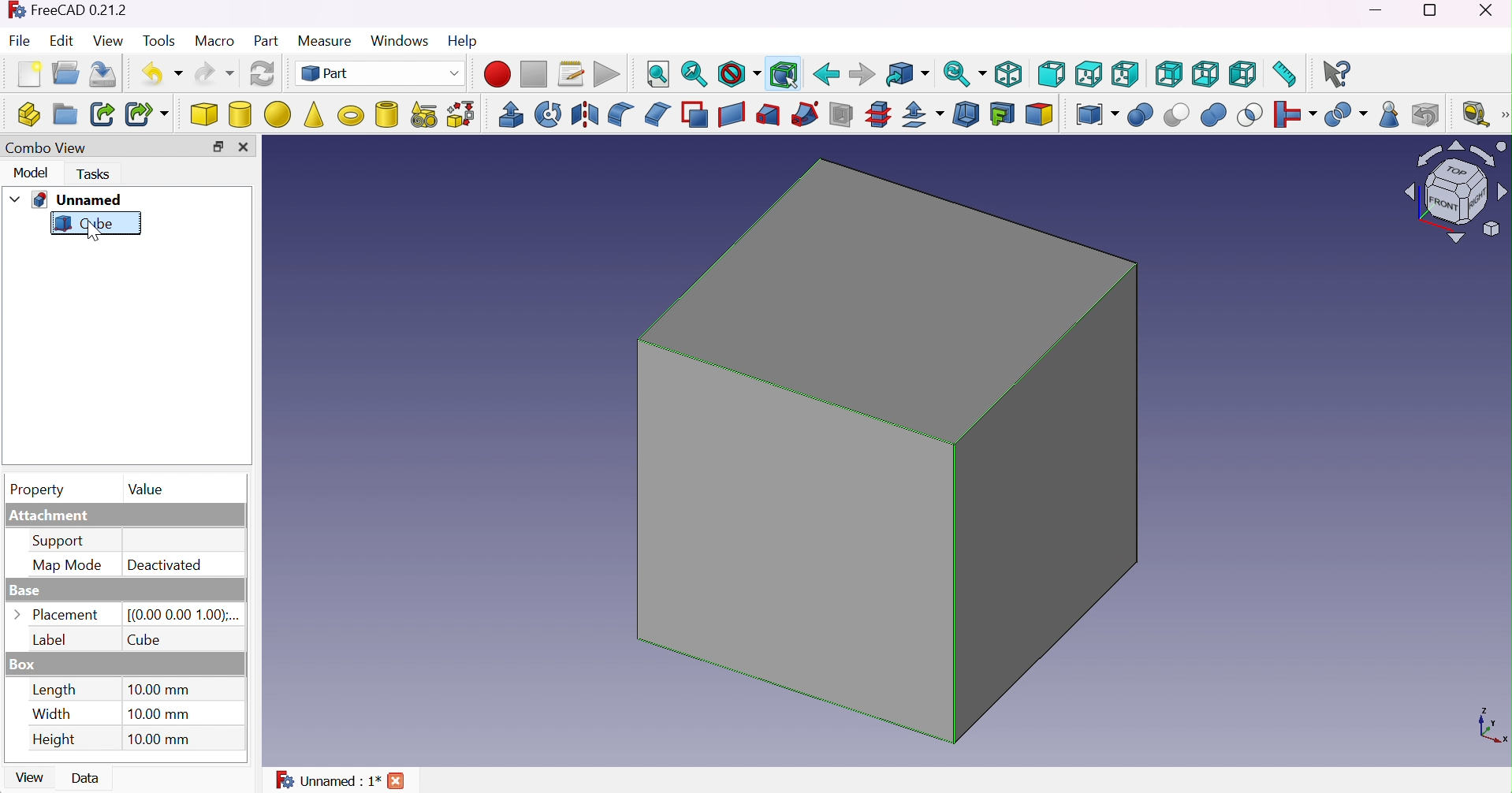 Image resolution: width=1512 pixels, height=793 pixels. I want to click on Save, so click(107, 74).